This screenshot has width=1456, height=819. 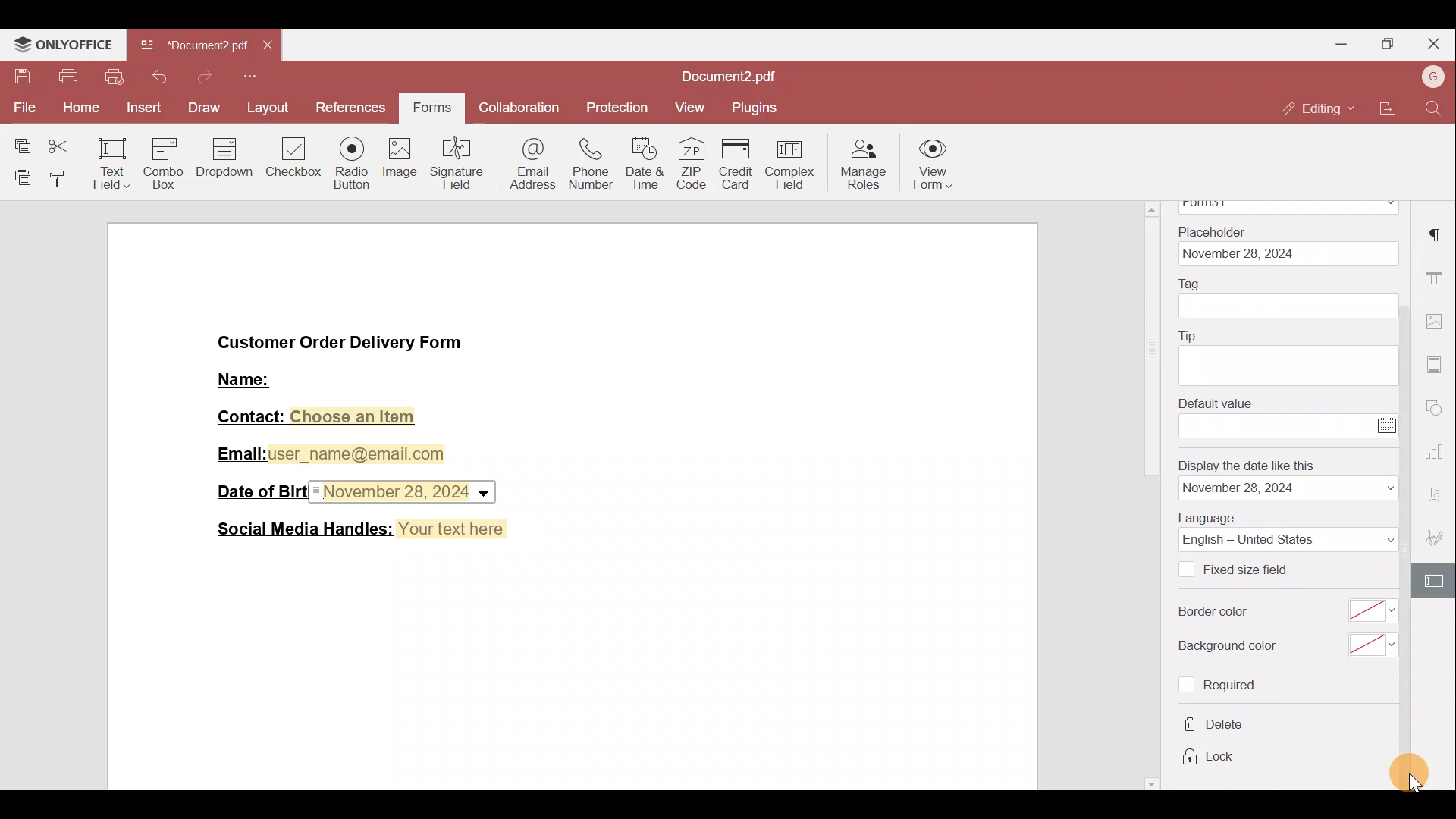 I want to click on Insert, so click(x=143, y=108).